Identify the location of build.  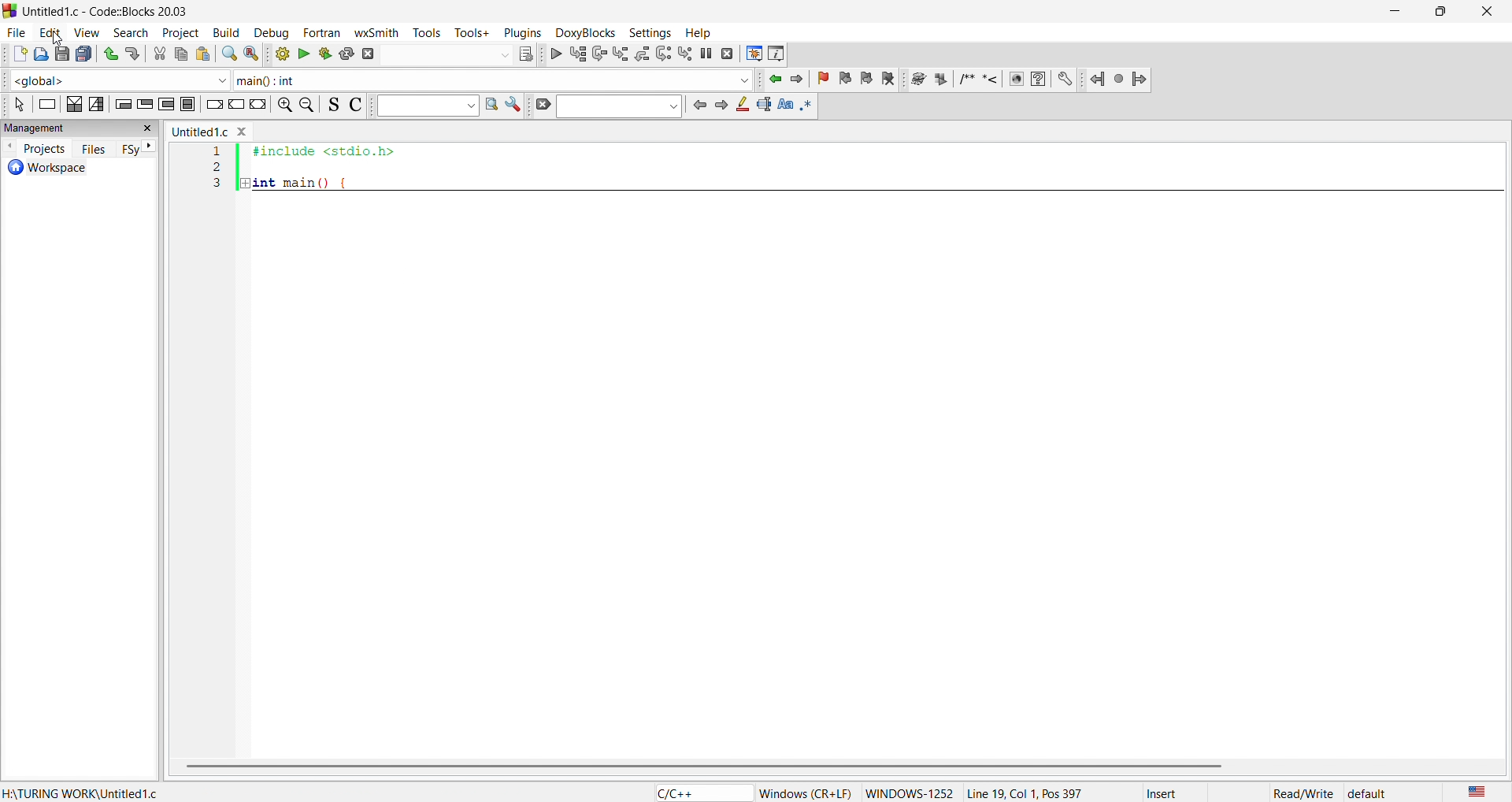
(224, 31).